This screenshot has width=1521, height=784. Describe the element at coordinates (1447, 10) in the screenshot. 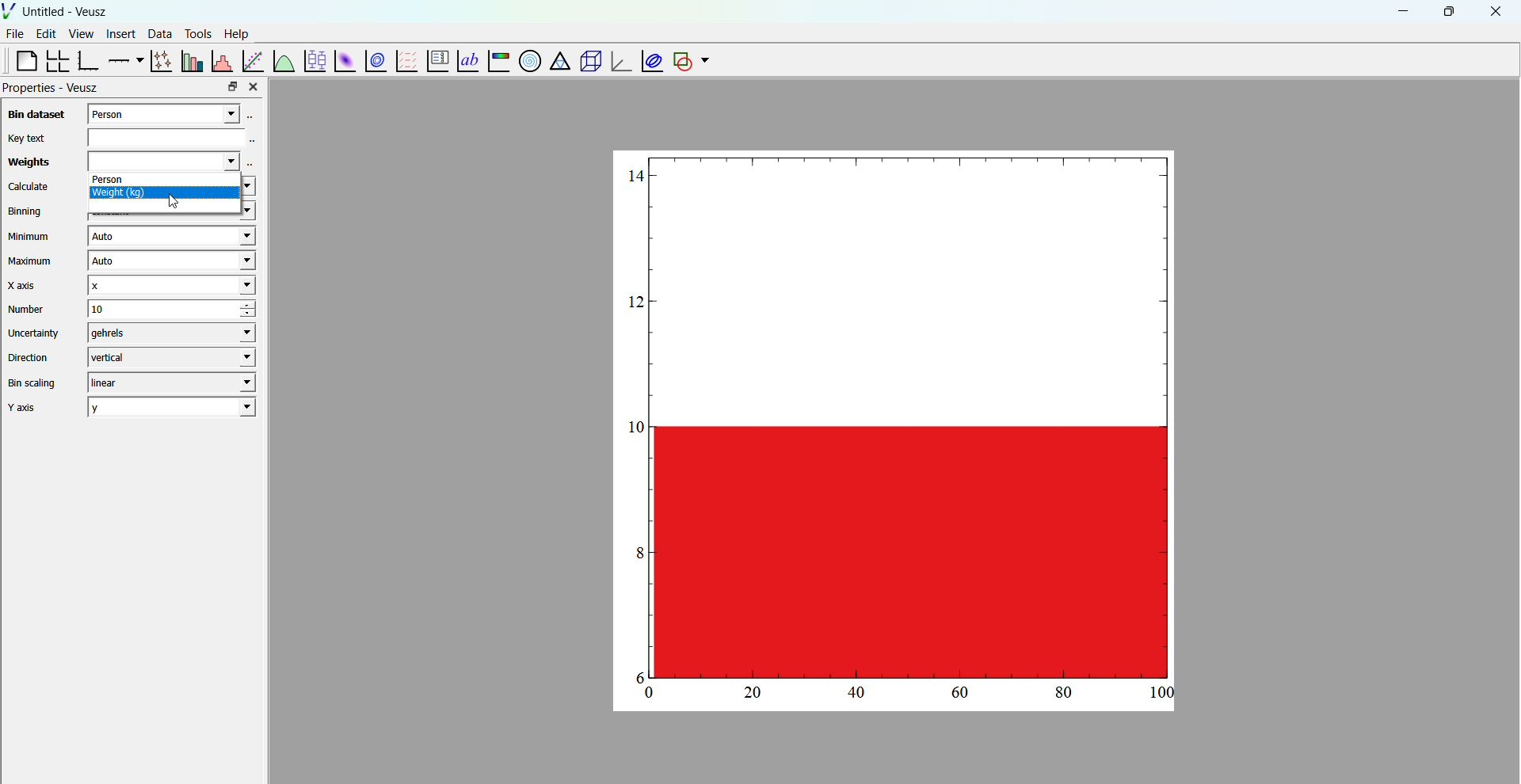

I see `maximize` at that location.